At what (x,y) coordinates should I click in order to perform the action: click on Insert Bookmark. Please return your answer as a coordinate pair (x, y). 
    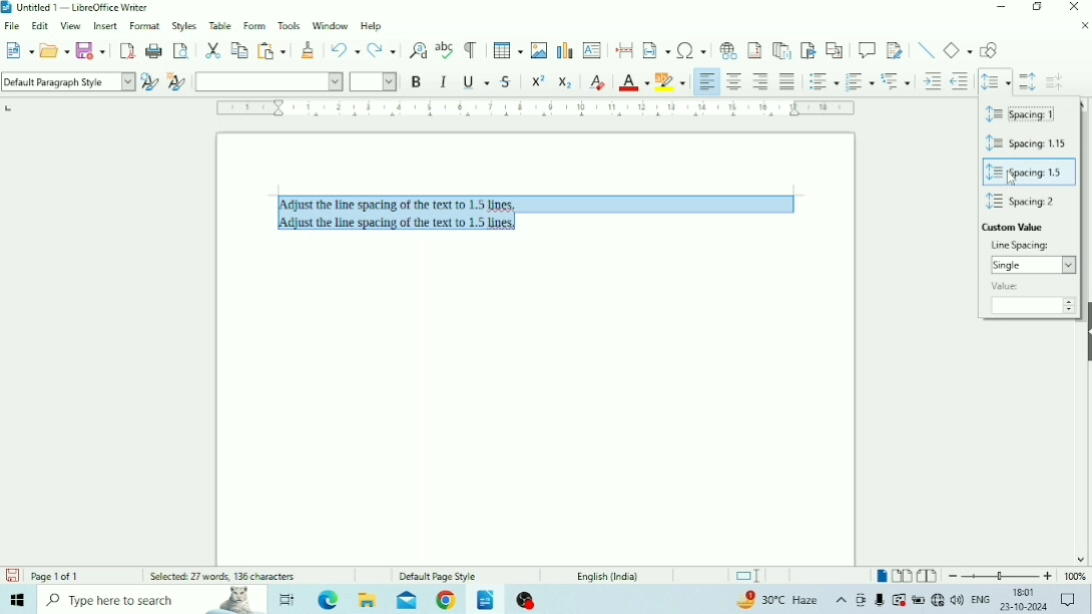
    Looking at the image, I should click on (809, 49).